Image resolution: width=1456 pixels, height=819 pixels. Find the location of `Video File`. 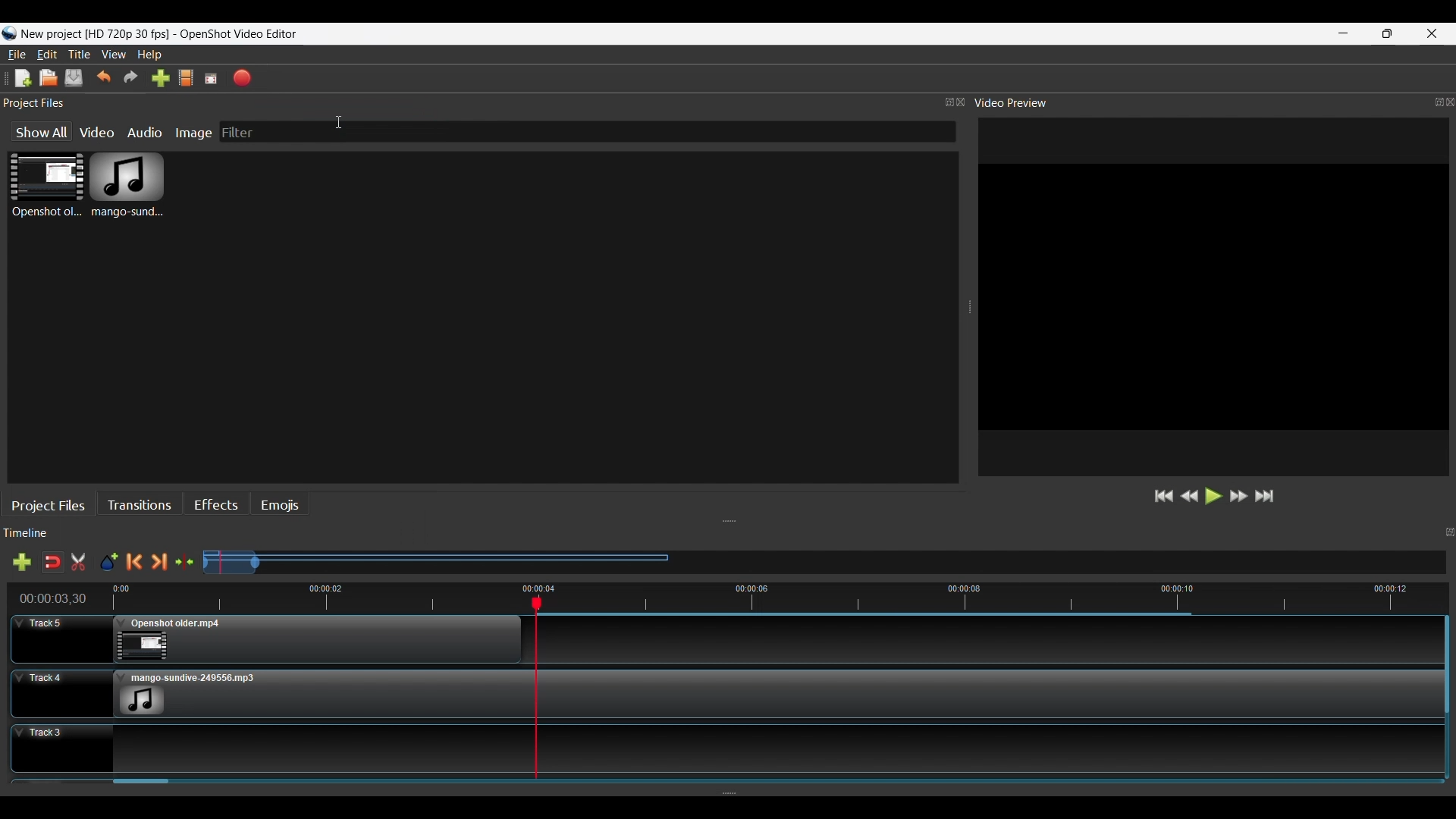

Video File is located at coordinates (46, 185).